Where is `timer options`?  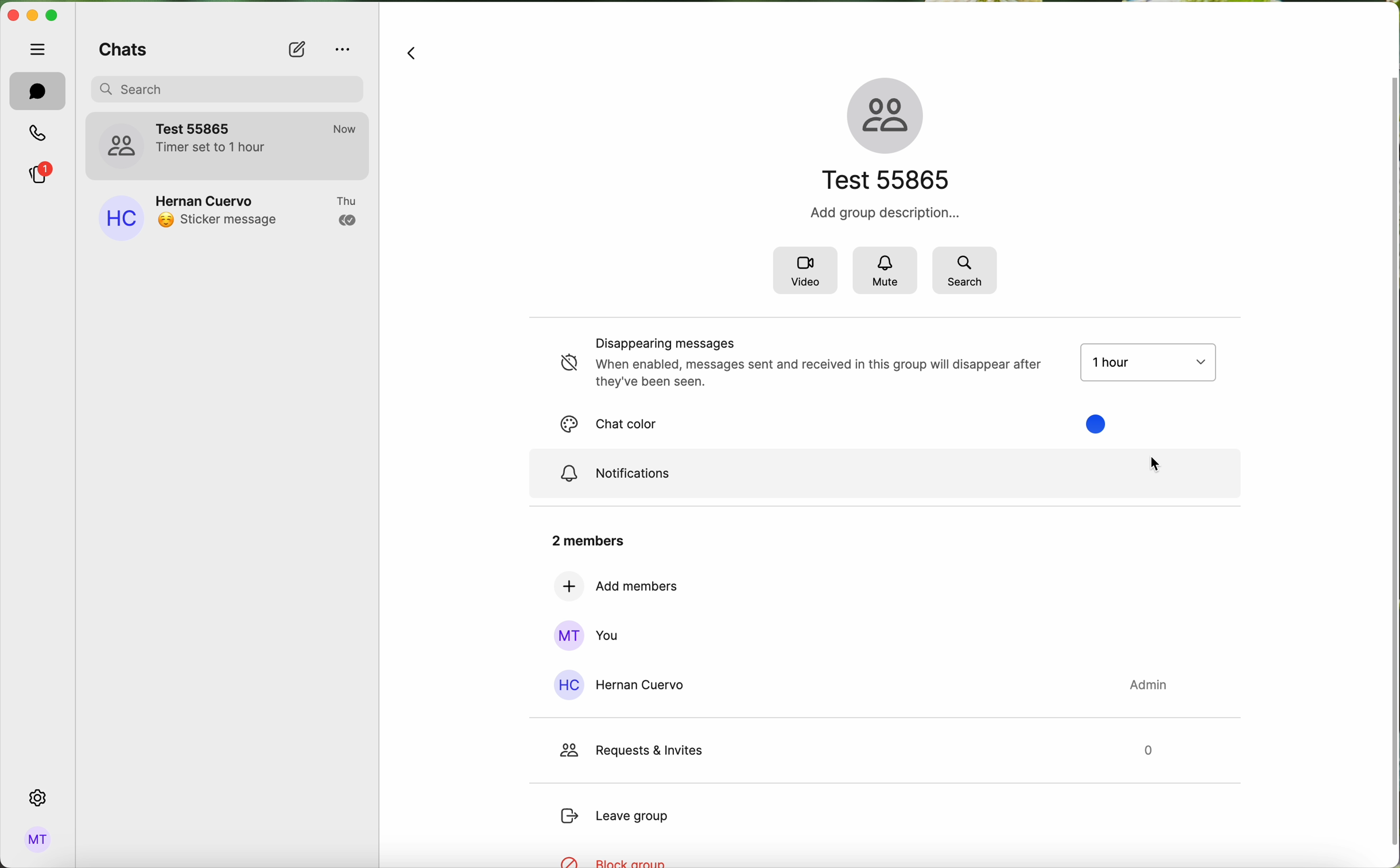
timer options is located at coordinates (1150, 362).